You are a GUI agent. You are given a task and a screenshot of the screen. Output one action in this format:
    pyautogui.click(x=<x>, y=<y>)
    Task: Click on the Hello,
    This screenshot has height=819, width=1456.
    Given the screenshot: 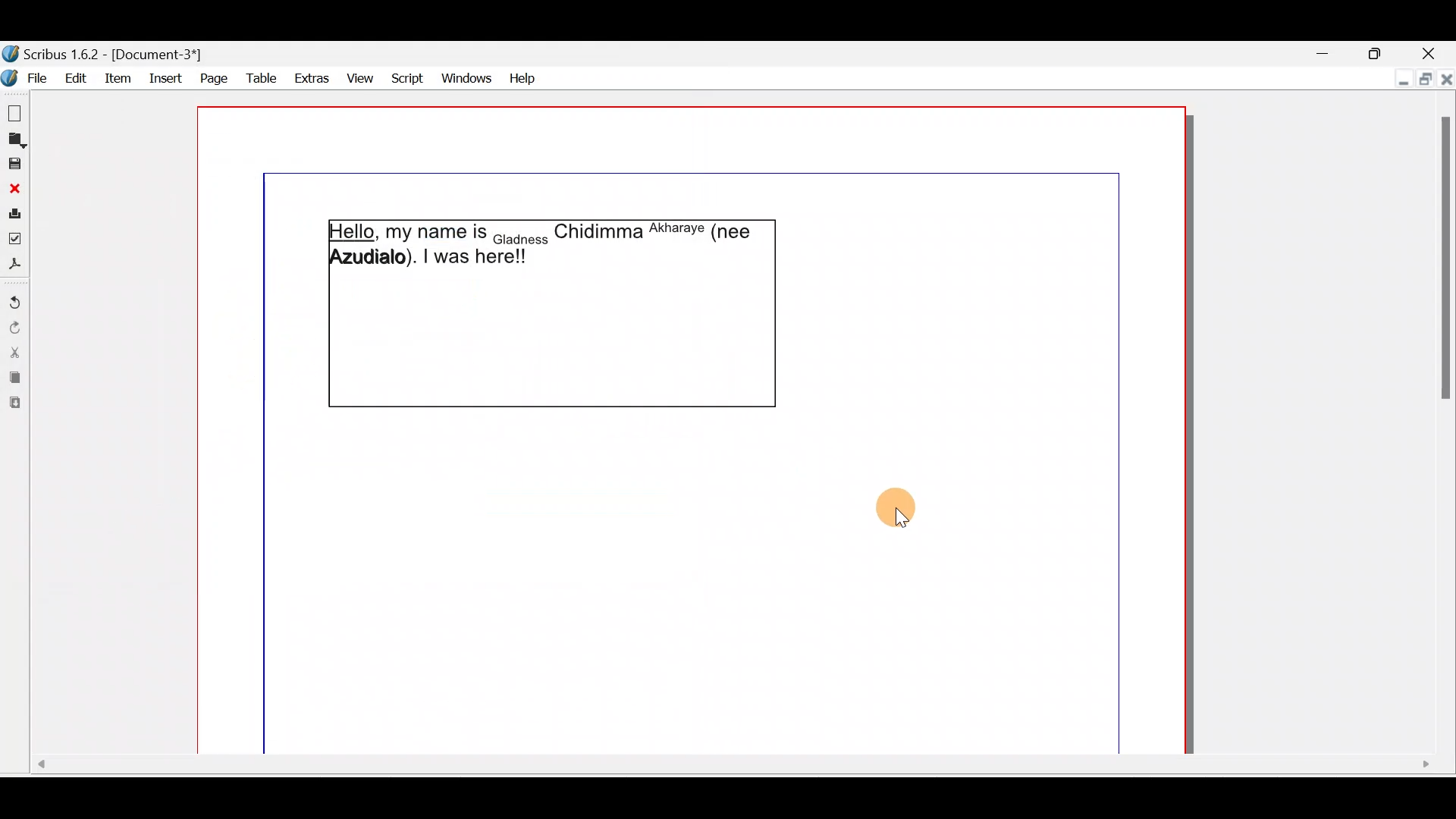 What is the action you would take?
    pyautogui.click(x=353, y=233)
    